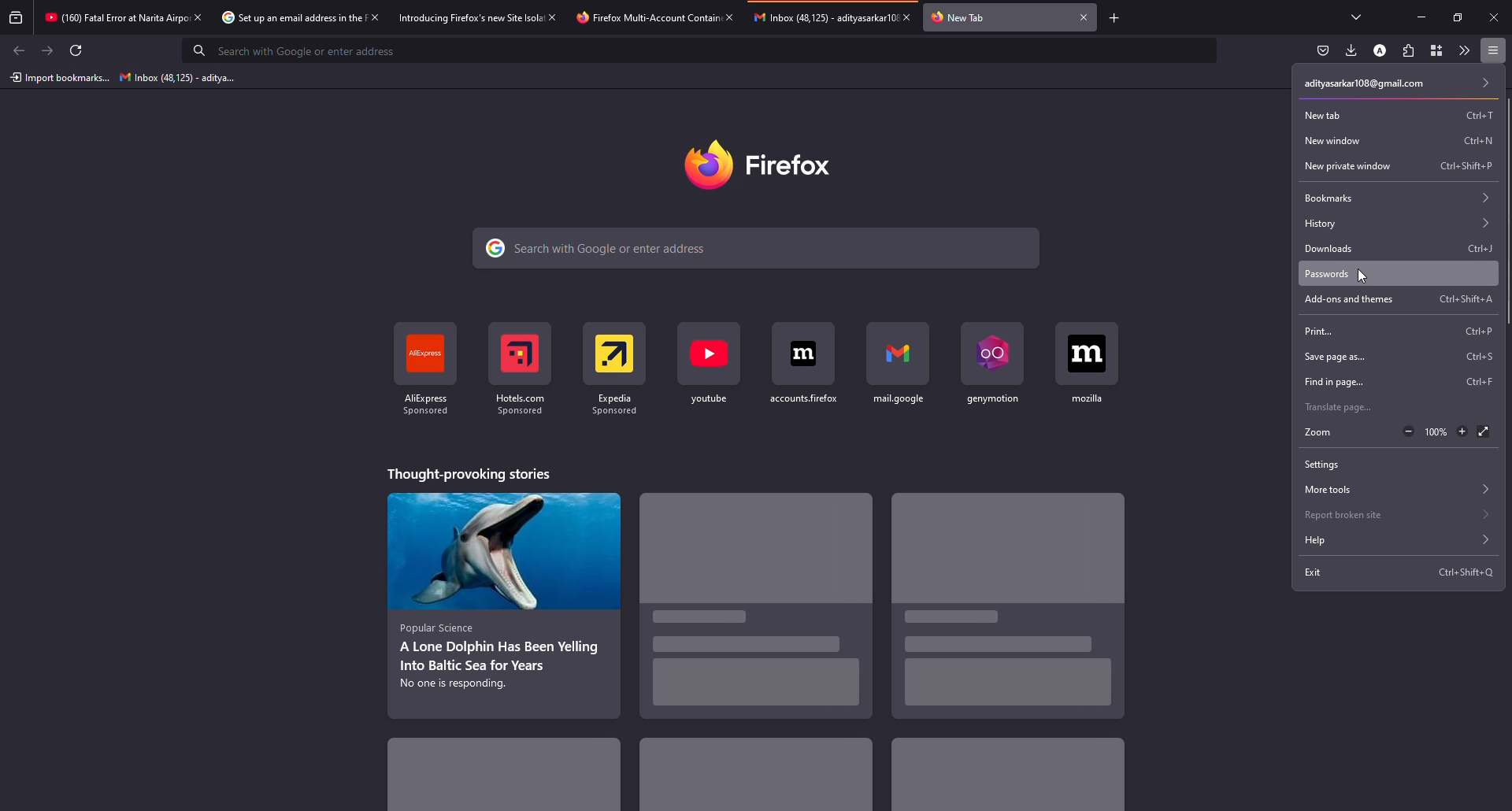 The width and height of the screenshot is (1512, 811). Describe the element at coordinates (1342, 299) in the screenshot. I see `add ons` at that location.